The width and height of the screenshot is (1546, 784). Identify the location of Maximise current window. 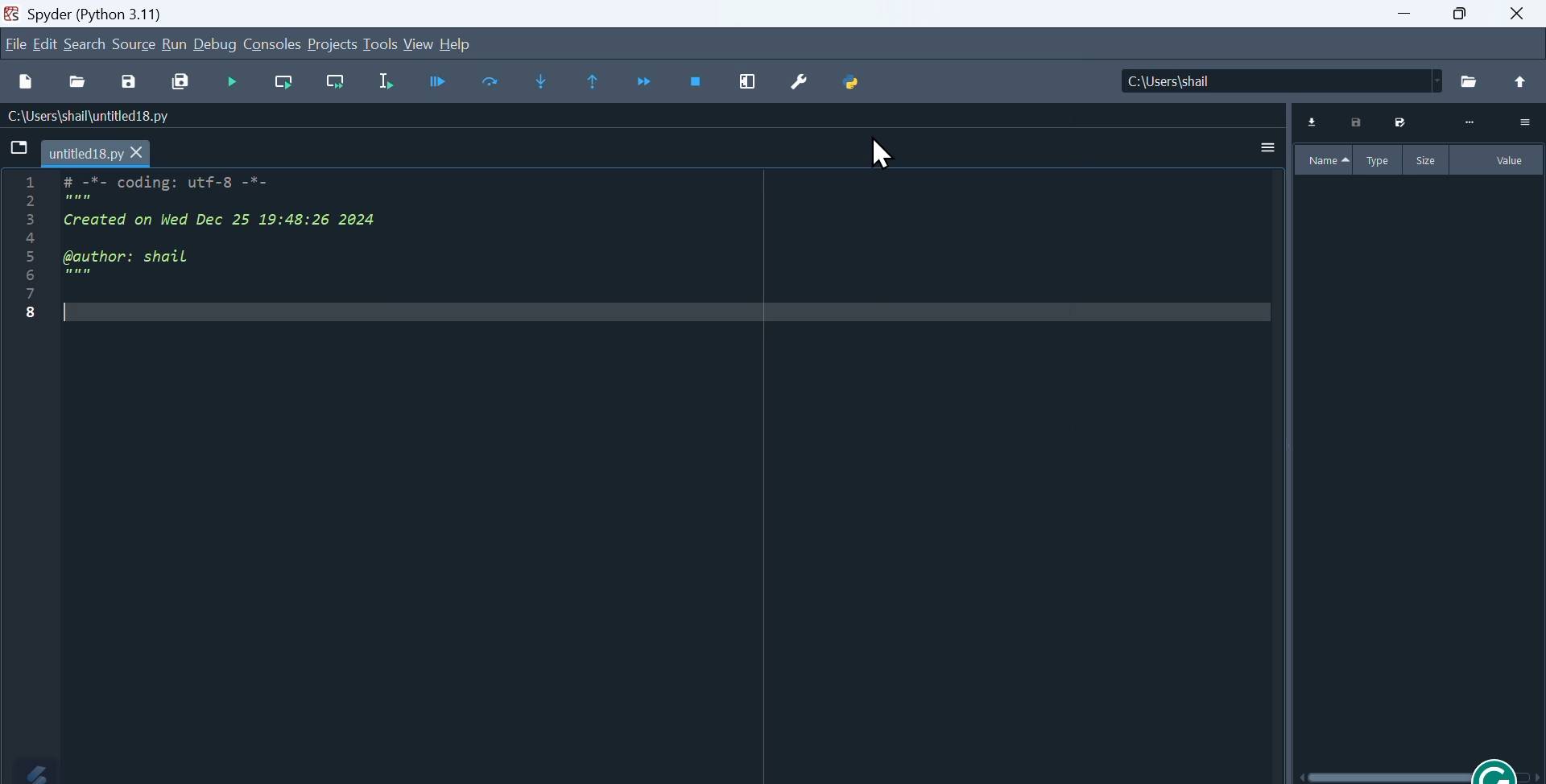
(752, 84).